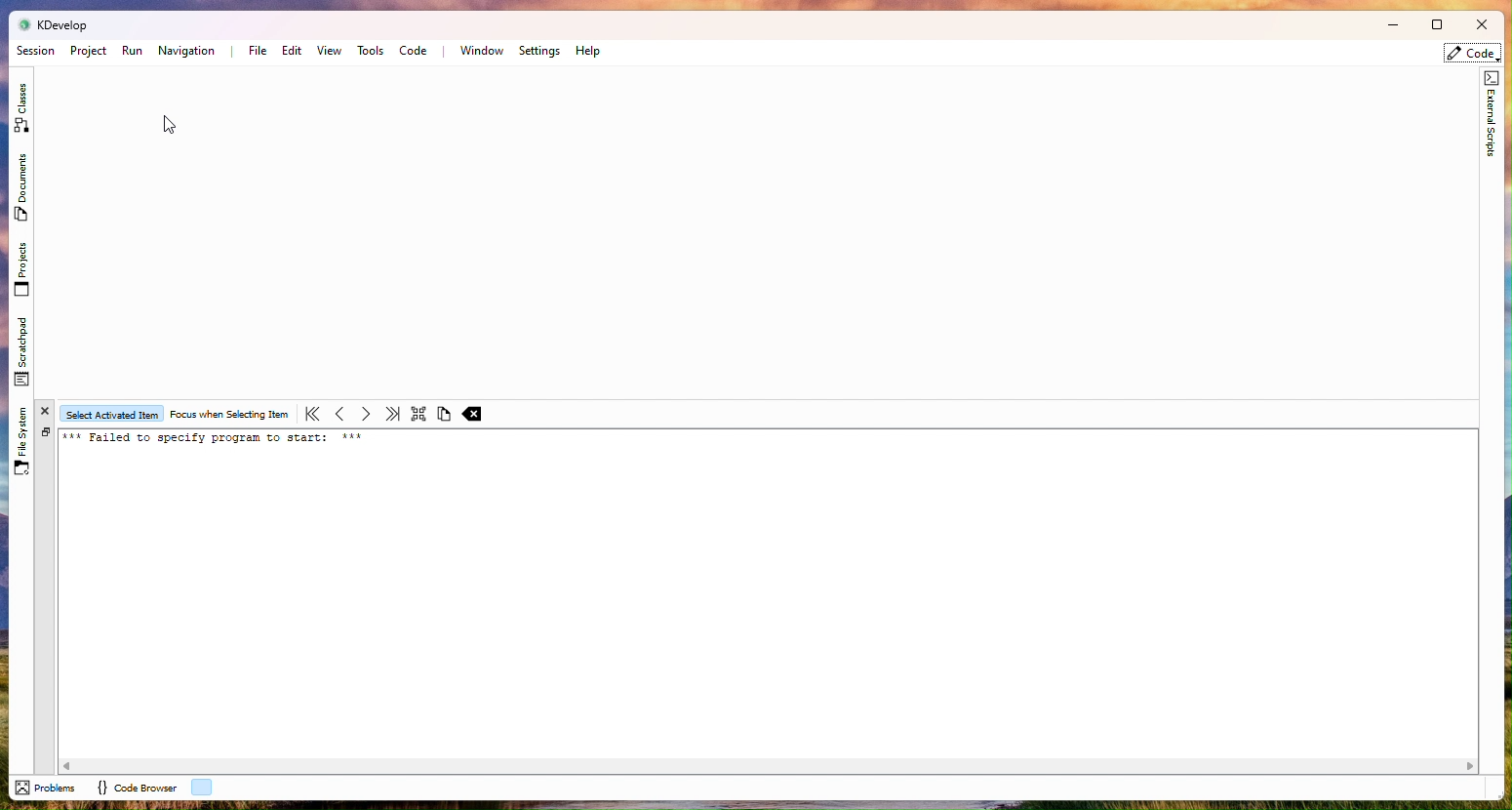 This screenshot has width=1512, height=810. What do you see at coordinates (418, 413) in the screenshot?
I see `Select all` at bounding box center [418, 413].